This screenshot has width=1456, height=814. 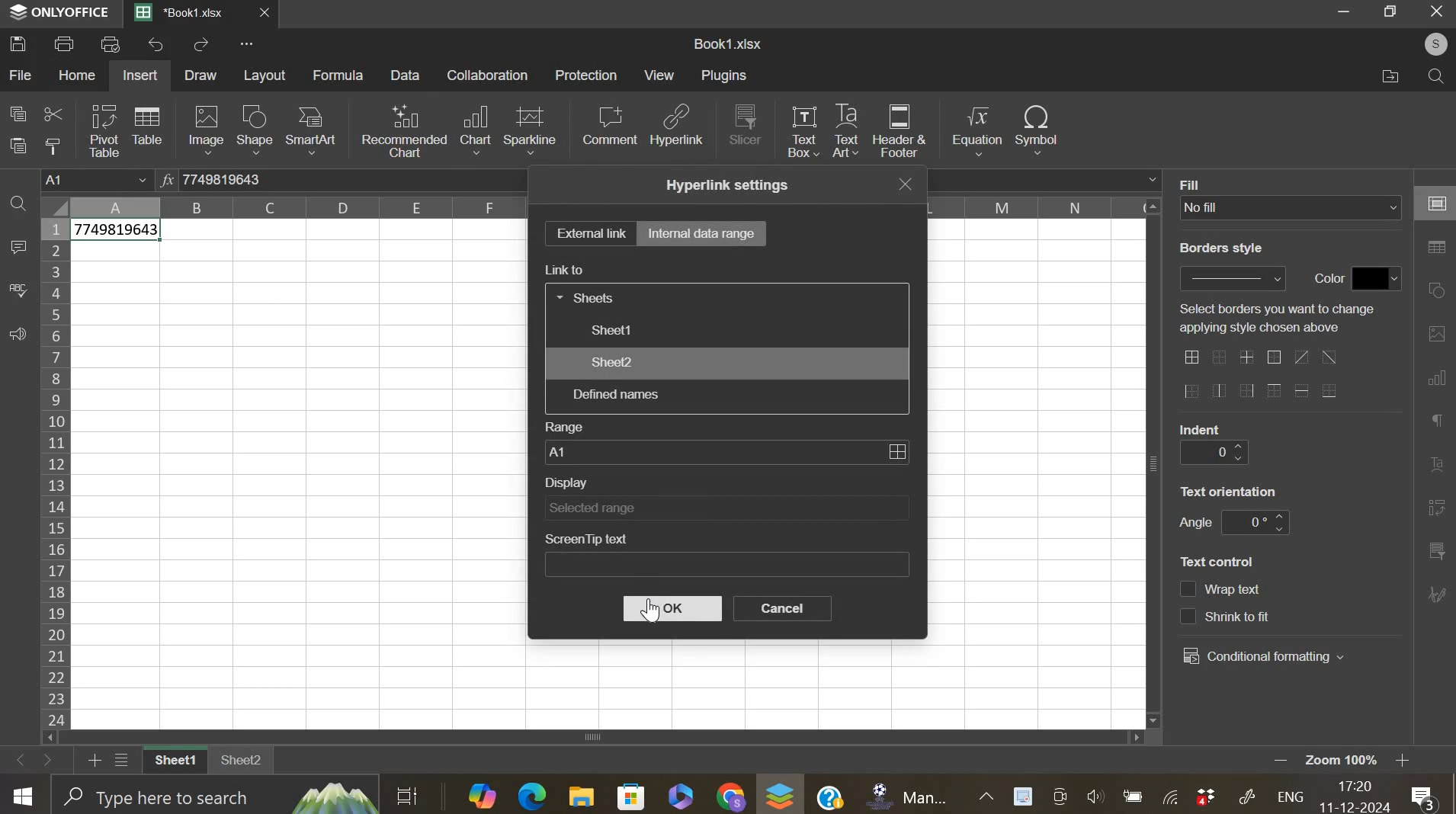 What do you see at coordinates (75, 75) in the screenshot?
I see `home` at bounding box center [75, 75].